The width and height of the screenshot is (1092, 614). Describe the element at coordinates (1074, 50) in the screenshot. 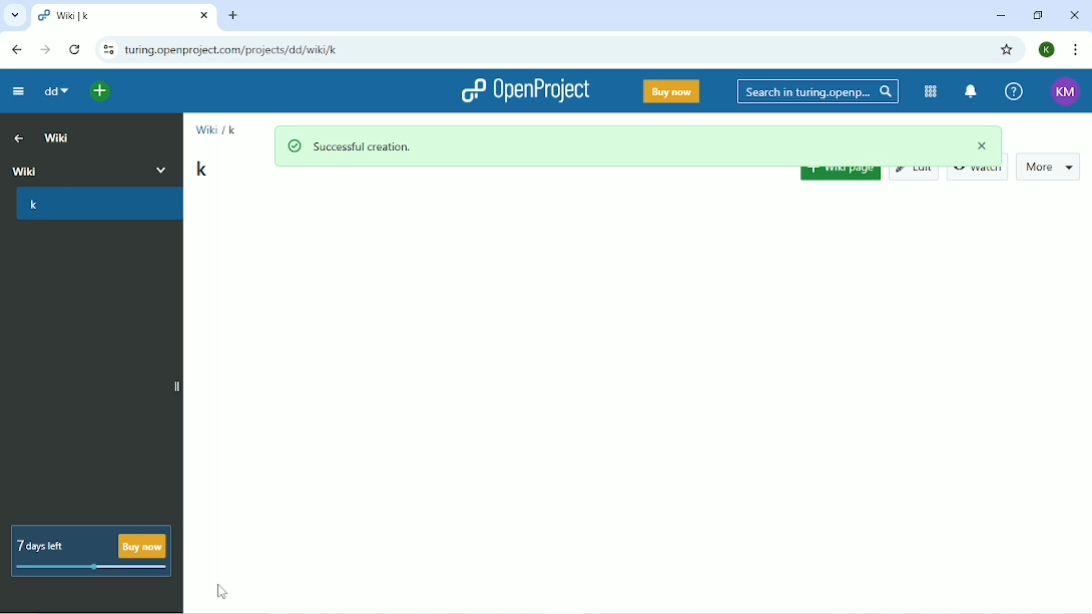

I see `Customize and control google chrome` at that location.